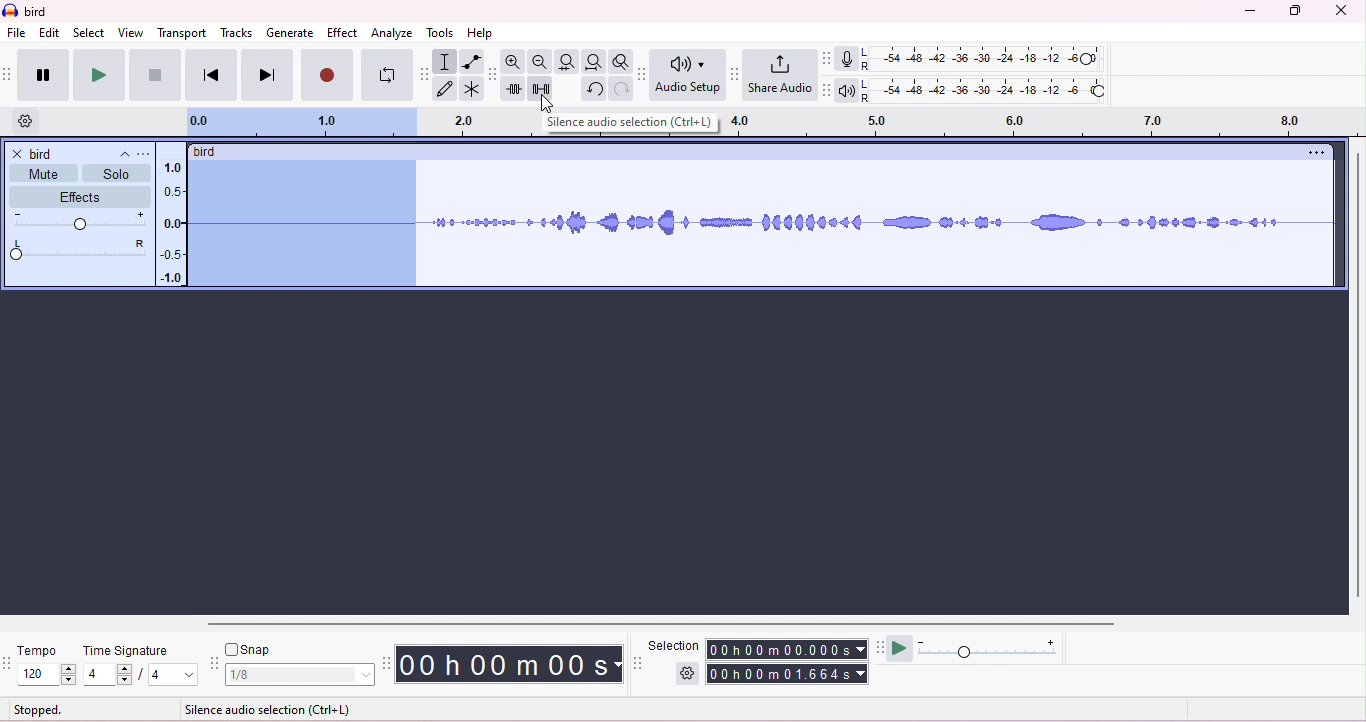 The image size is (1366, 722). What do you see at coordinates (1356, 376) in the screenshot?
I see `vertical scroll bar` at bounding box center [1356, 376].